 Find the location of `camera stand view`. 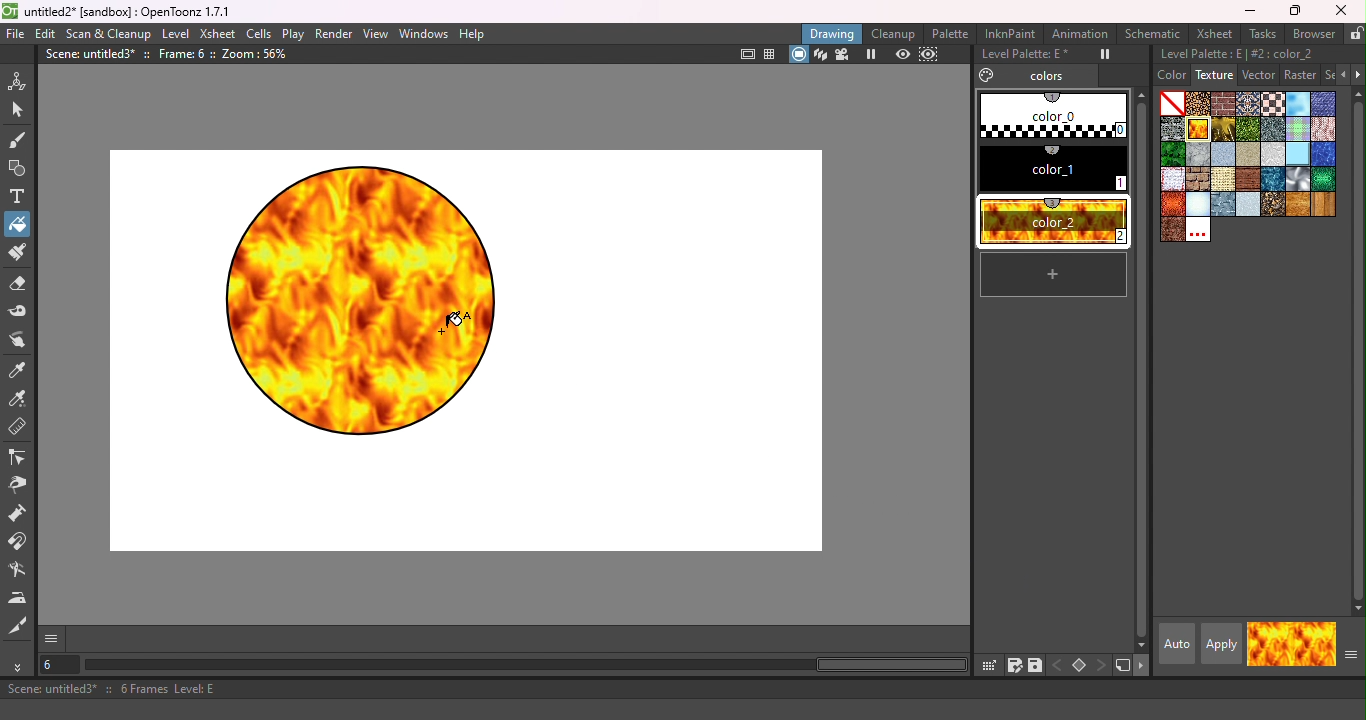

camera stand view is located at coordinates (798, 54).